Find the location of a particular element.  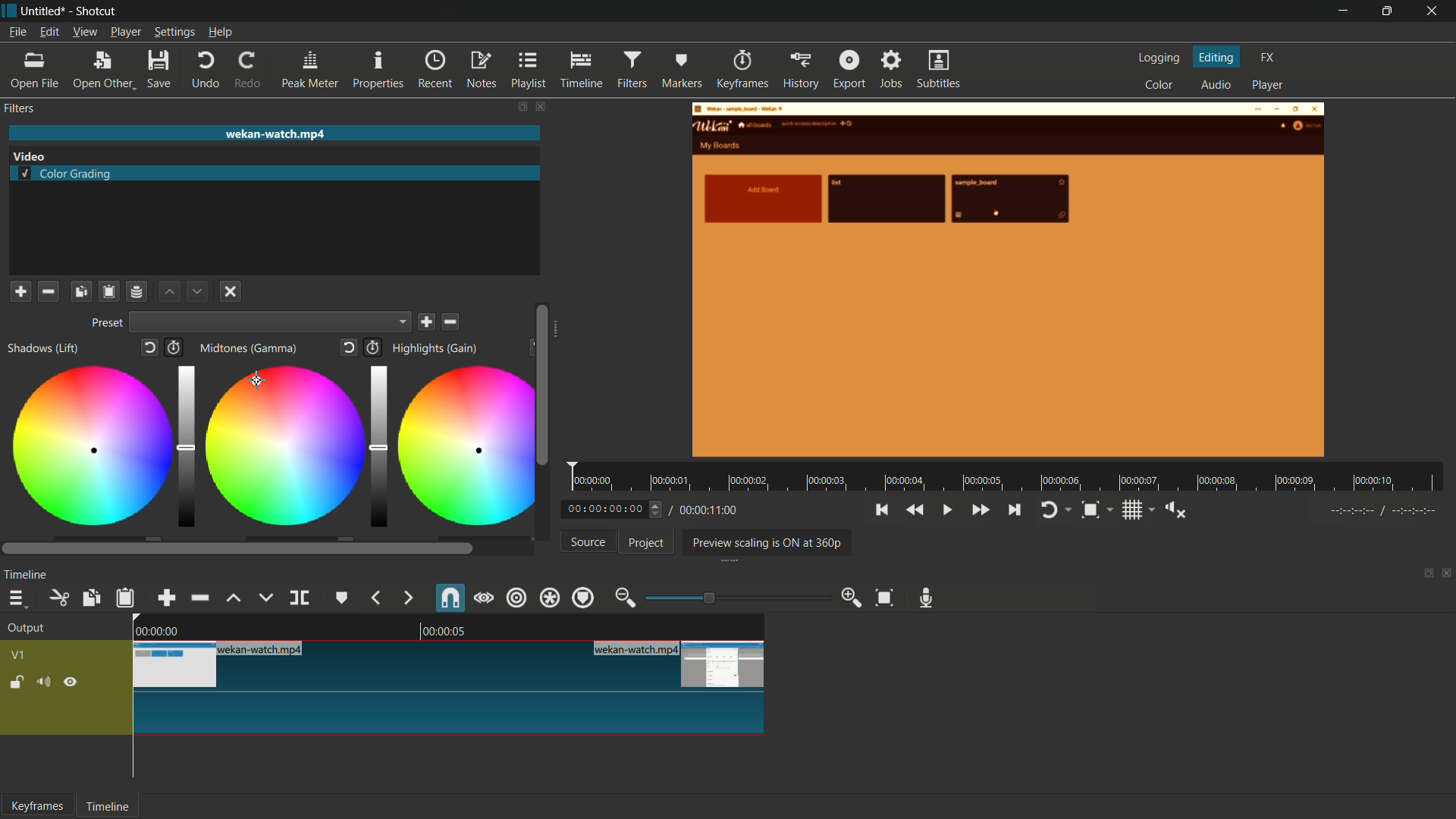

ripple is located at coordinates (516, 598).